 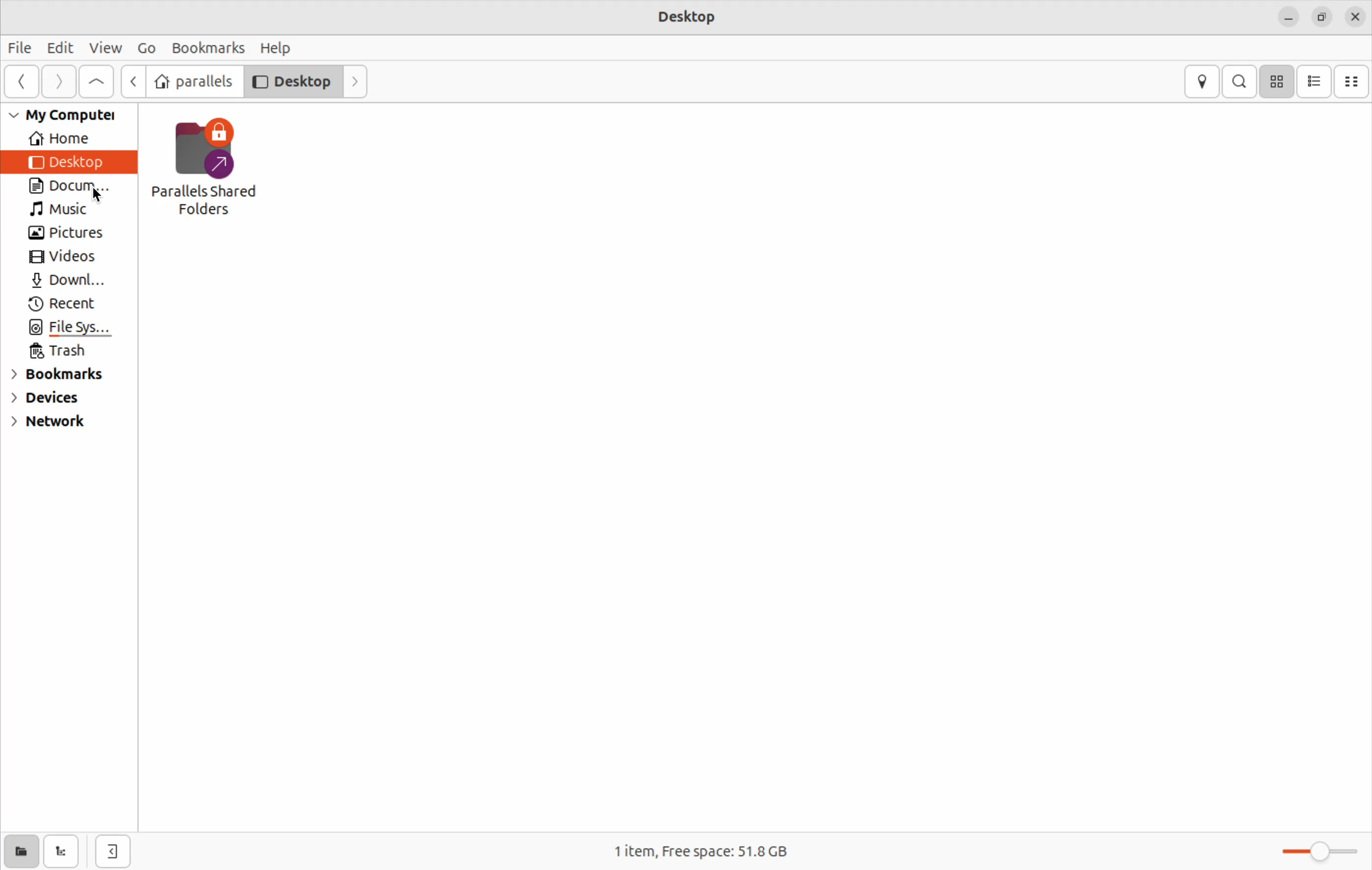 What do you see at coordinates (24, 80) in the screenshot?
I see `Previous` at bounding box center [24, 80].